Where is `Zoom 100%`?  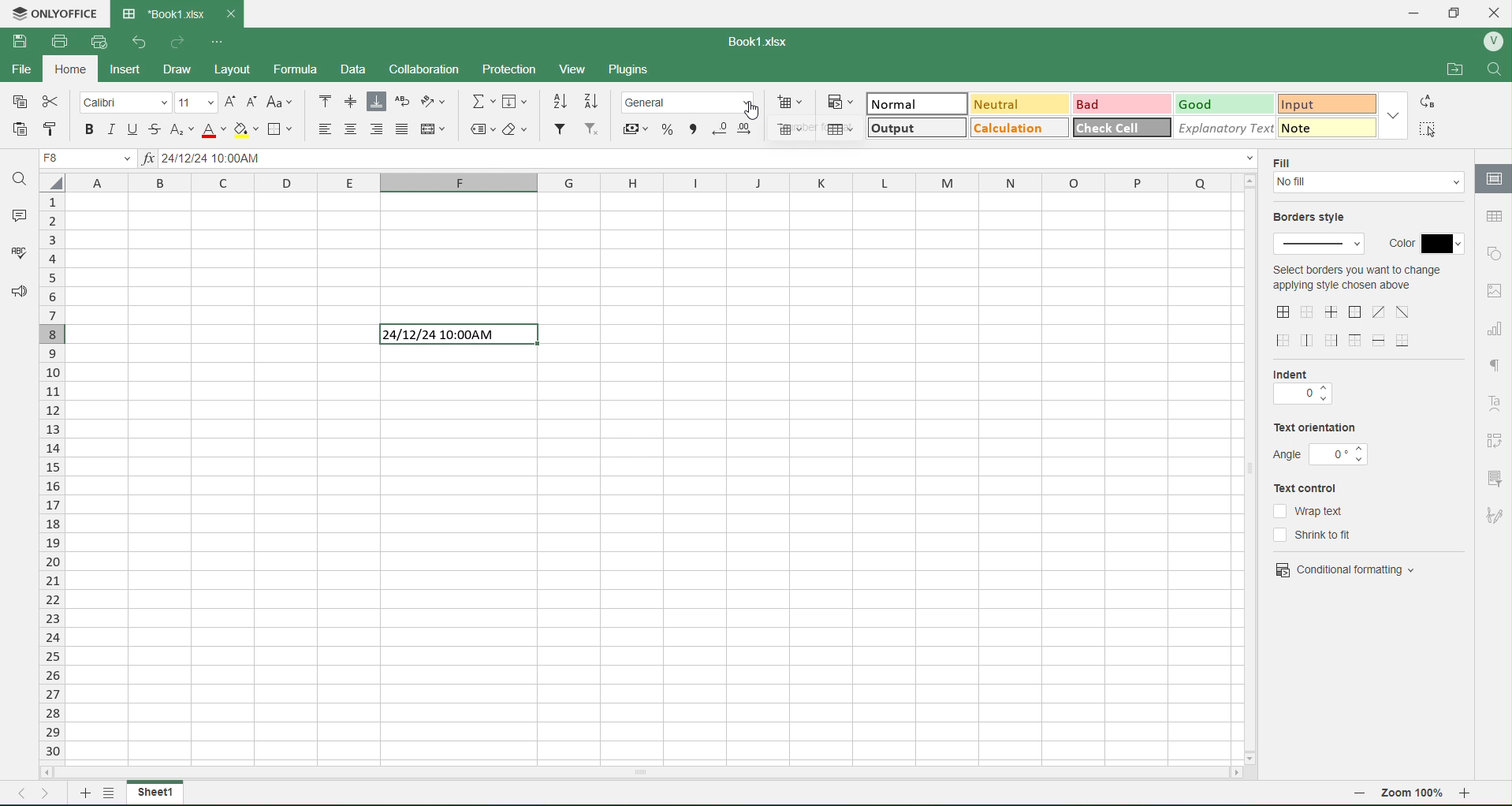 Zoom 100% is located at coordinates (1414, 795).